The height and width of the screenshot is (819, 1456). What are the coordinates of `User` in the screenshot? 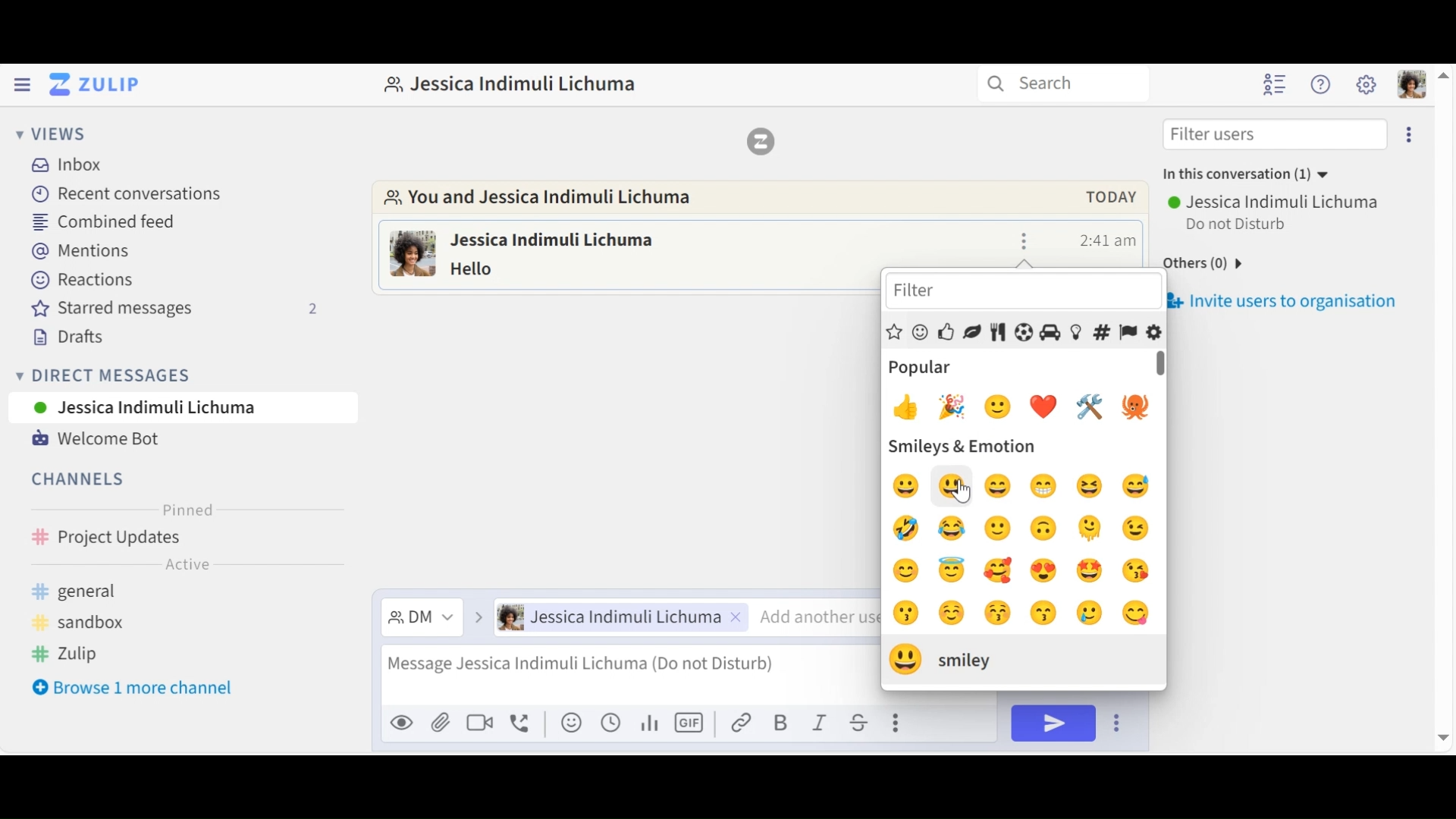 It's located at (622, 617).